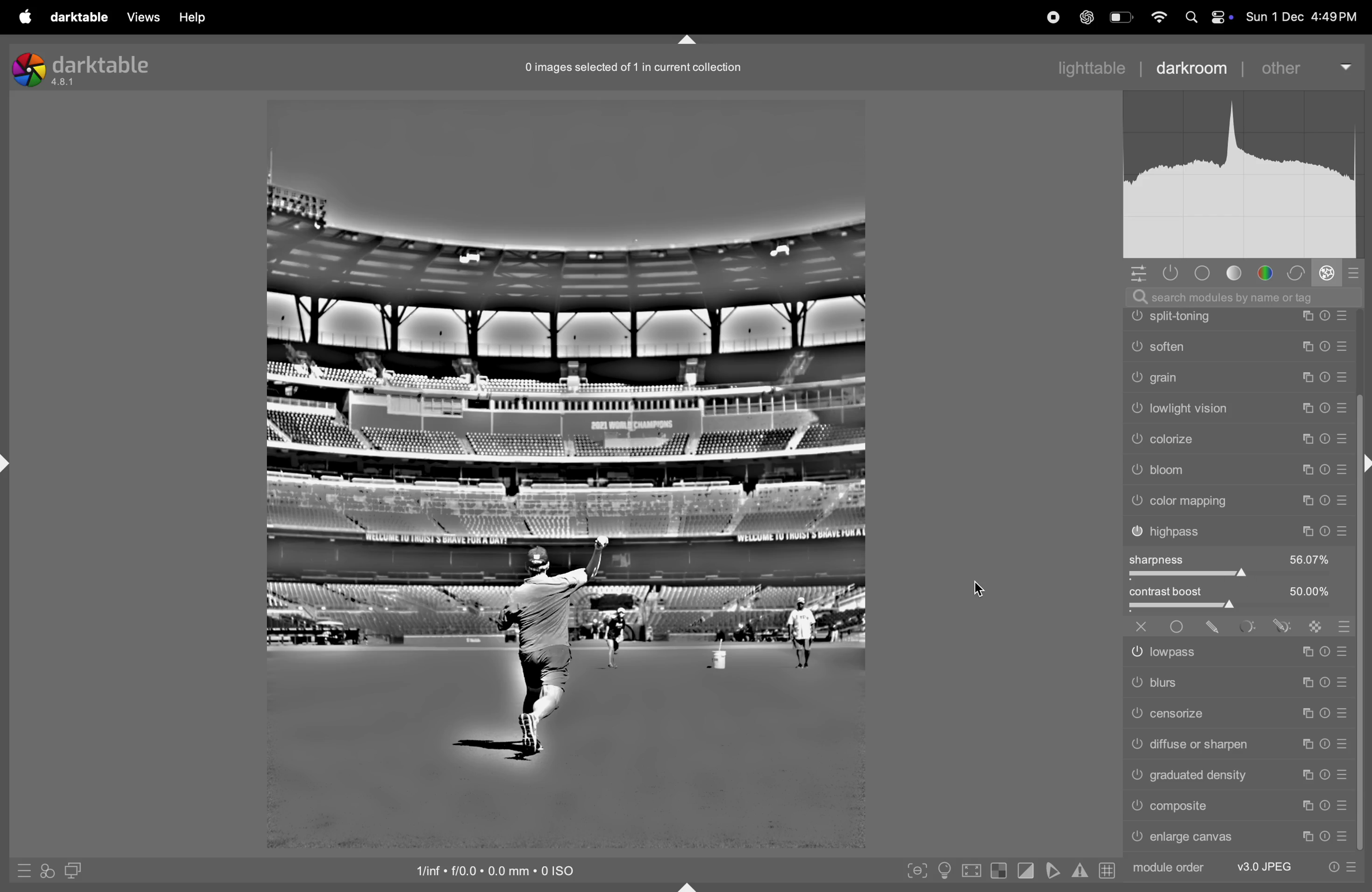 The width and height of the screenshot is (1372, 892). Describe the element at coordinates (985, 589) in the screenshot. I see `cursor` at that location.